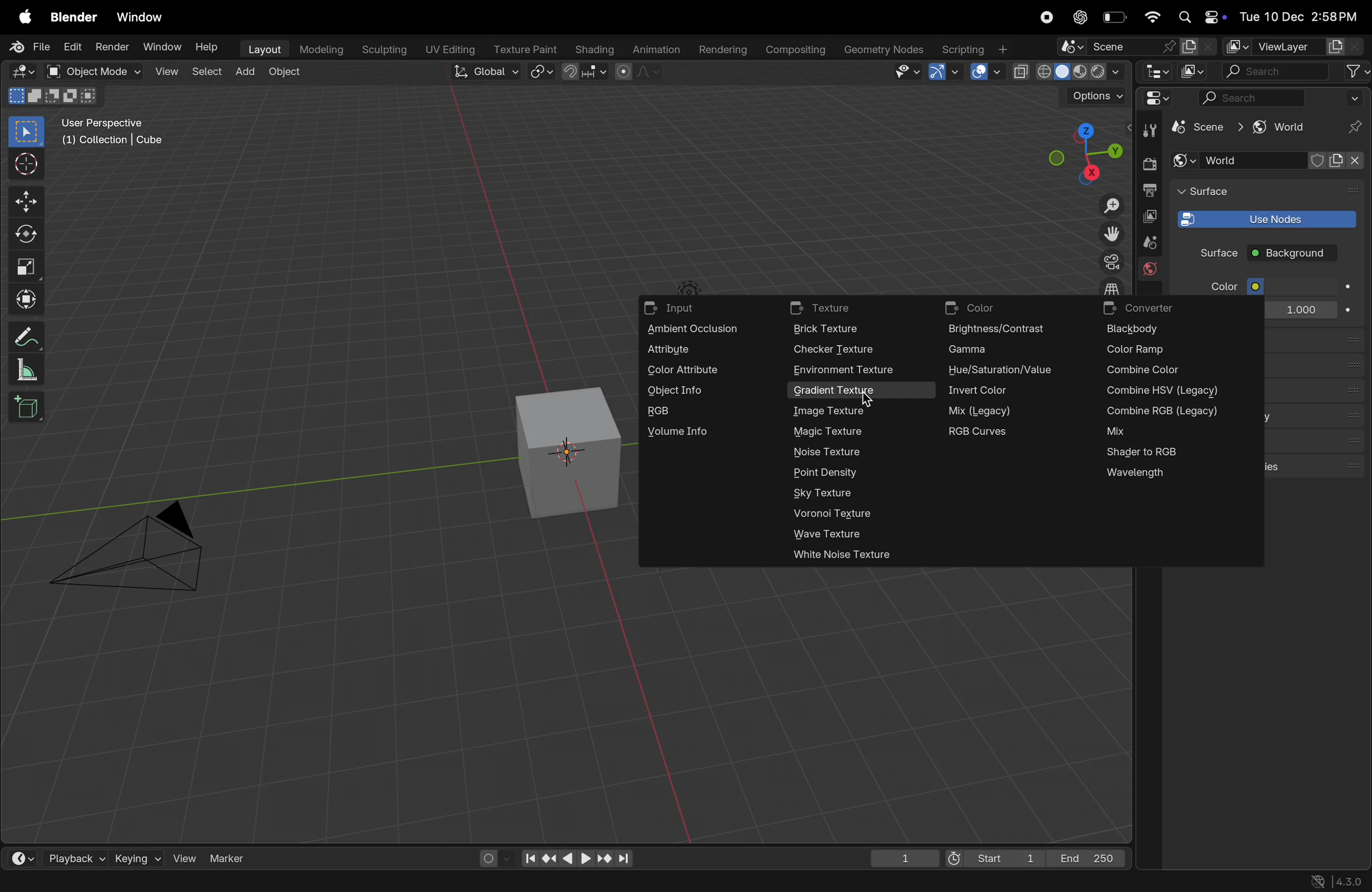  What do you see at coordinates (694, 391) in the screenshot?
I see `object info` at bounding box center [694, 391].